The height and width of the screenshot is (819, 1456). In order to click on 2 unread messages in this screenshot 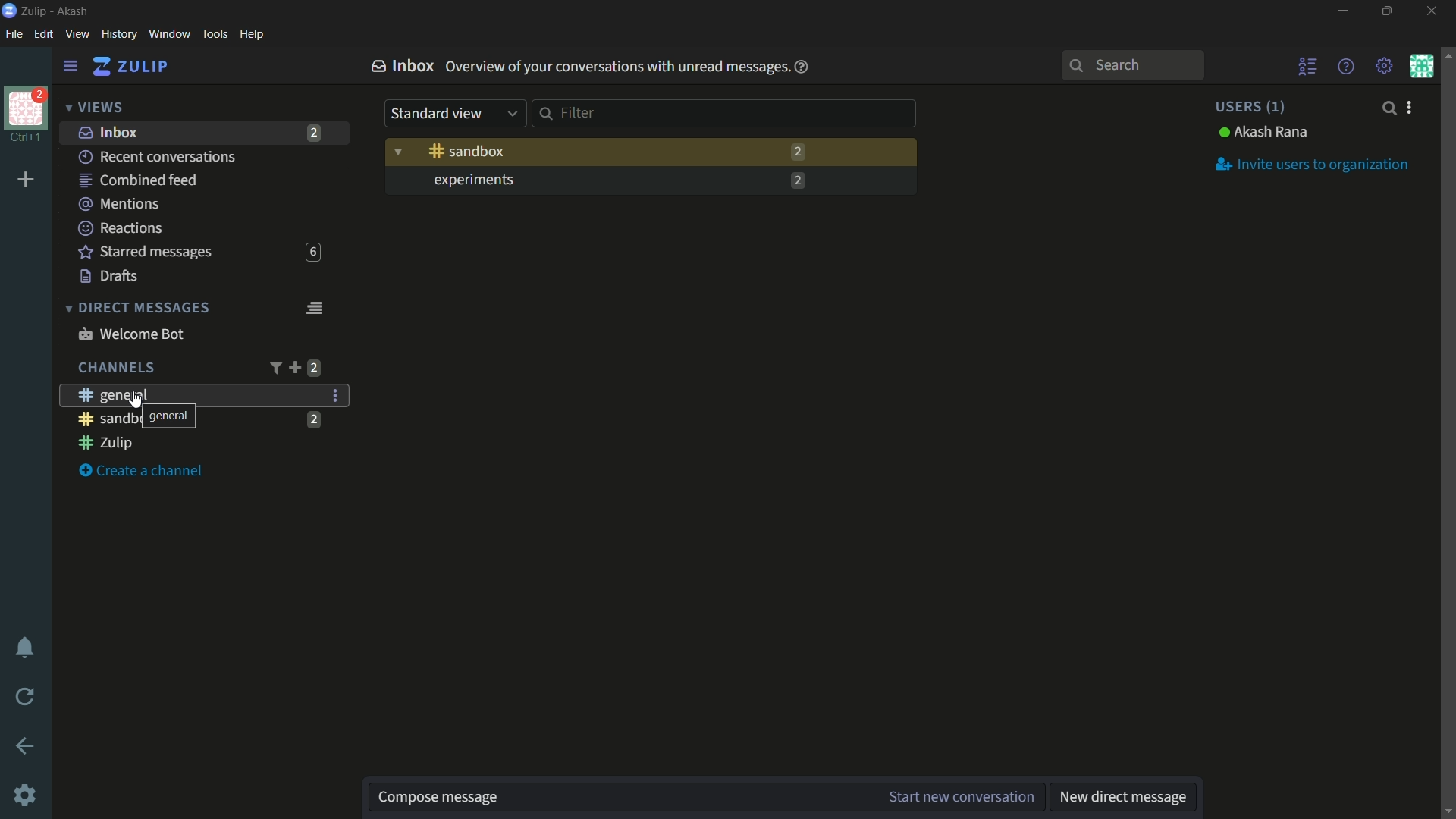, I will do `click(314, 368)`.